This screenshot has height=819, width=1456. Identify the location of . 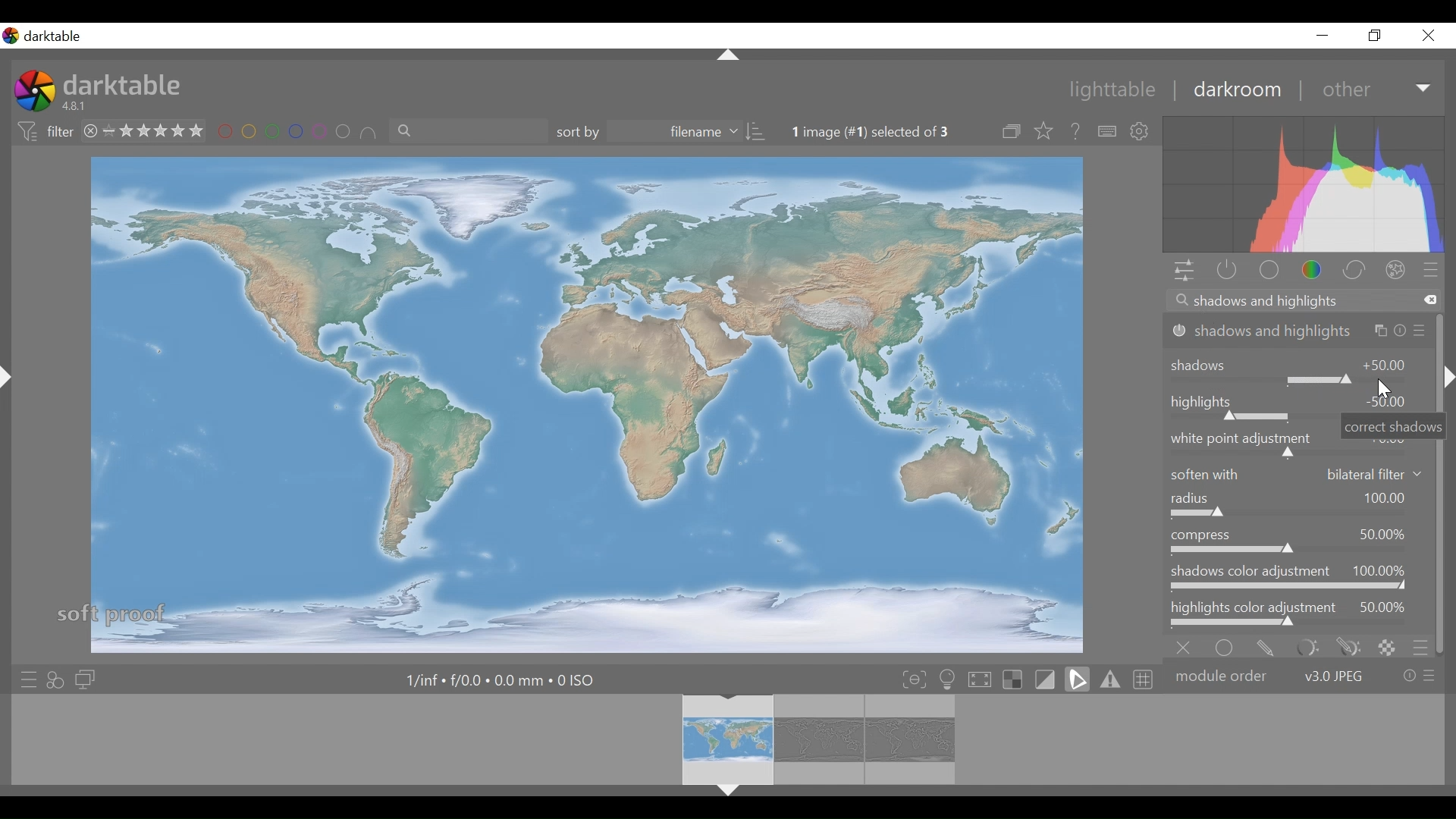
(13, 393).